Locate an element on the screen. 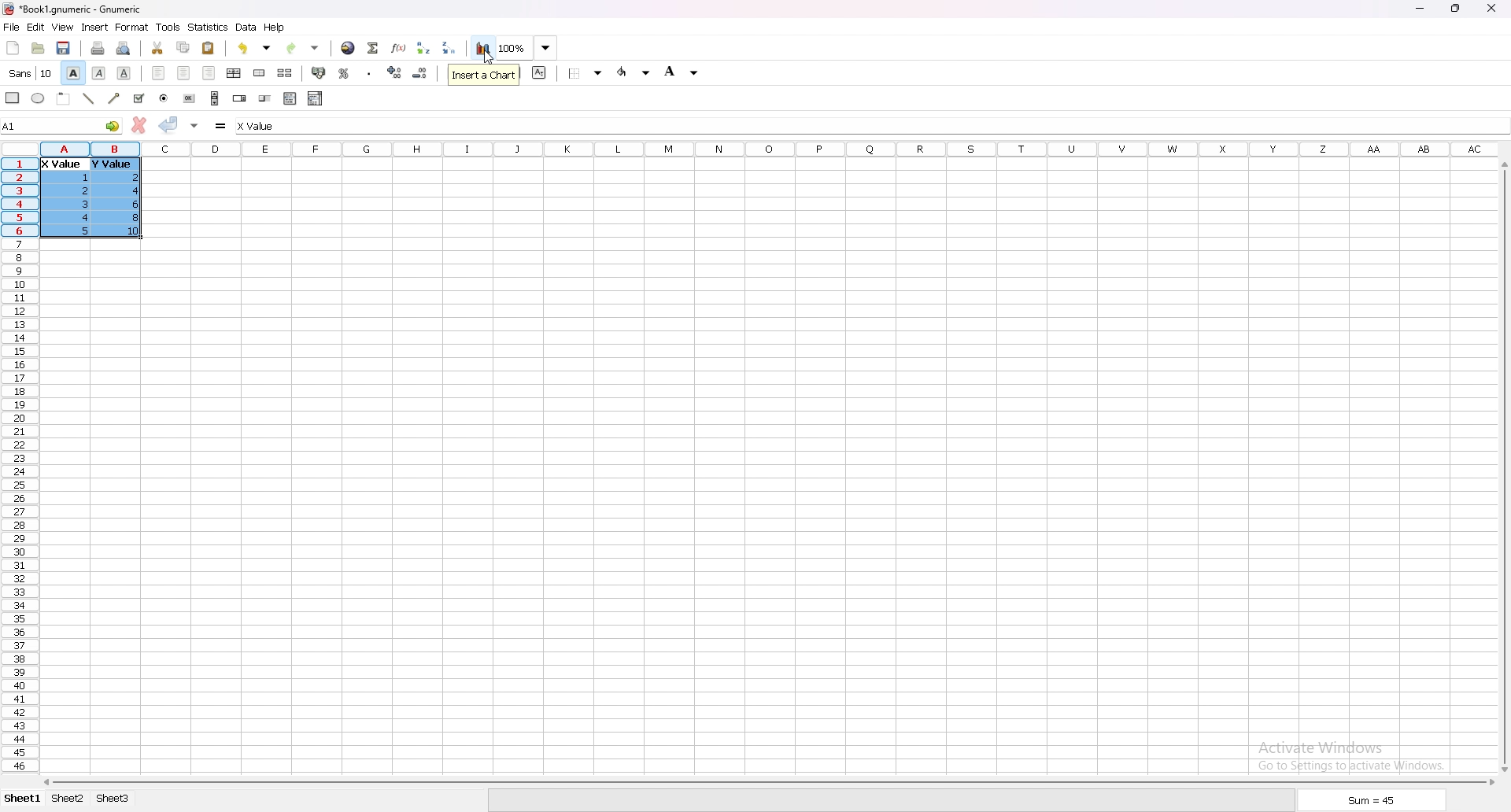 Image resolution: width=1511 pixels, height=812 pixels. scroll bar is located at coordinates (1502, 467).